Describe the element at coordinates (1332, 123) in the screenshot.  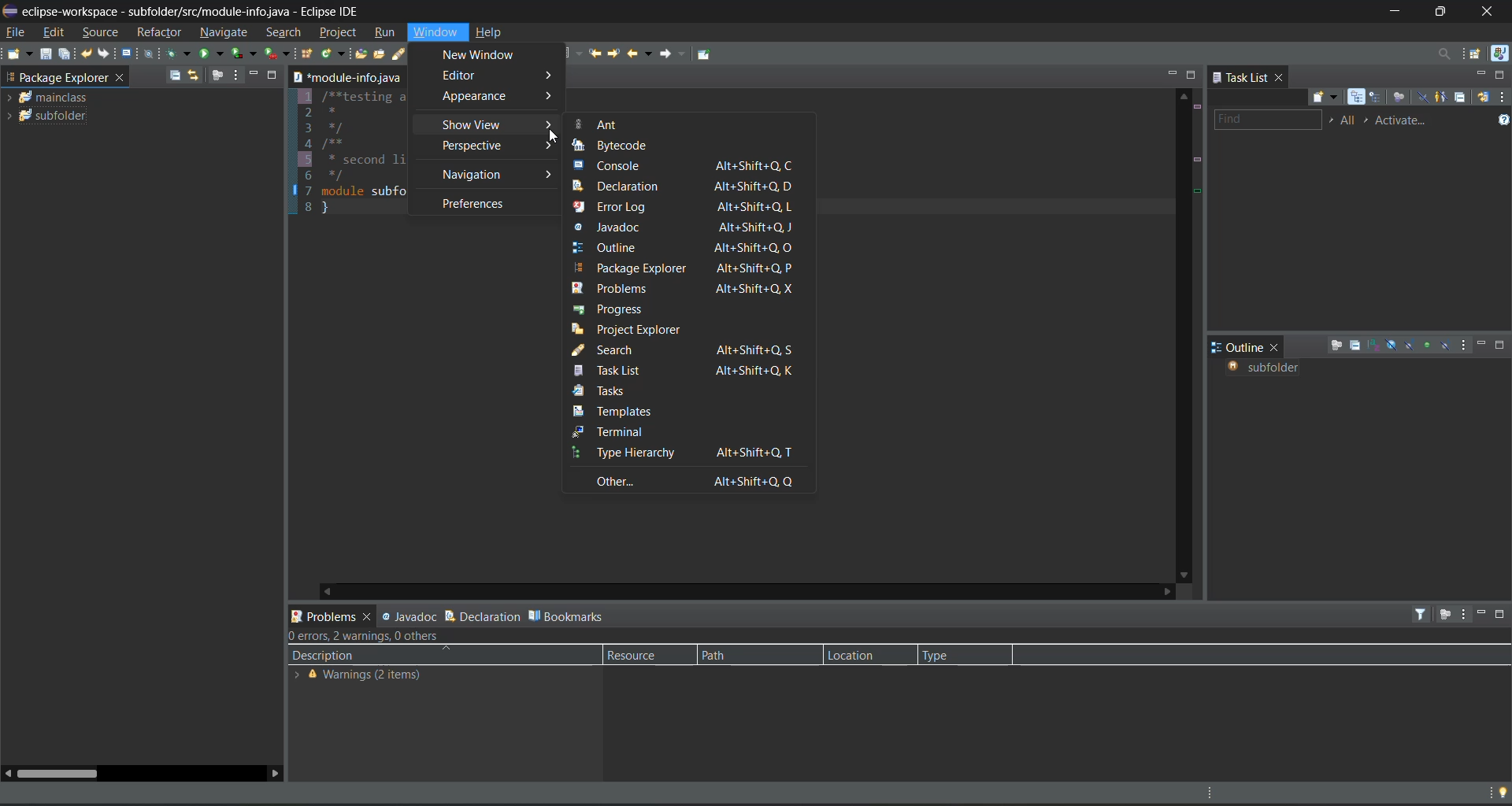
I see `select working set` at that location.